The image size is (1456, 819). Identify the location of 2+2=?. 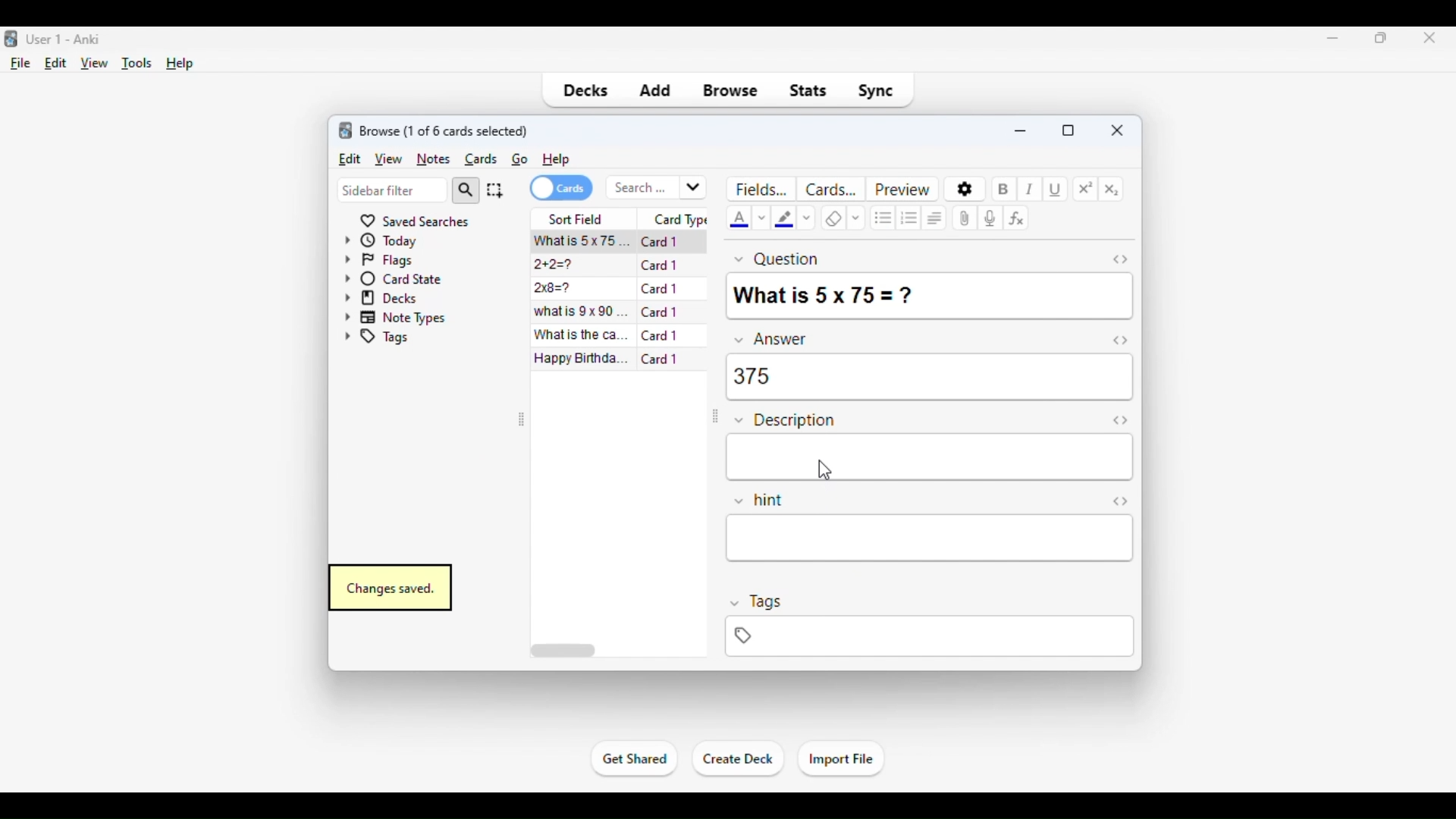
(551, 265).